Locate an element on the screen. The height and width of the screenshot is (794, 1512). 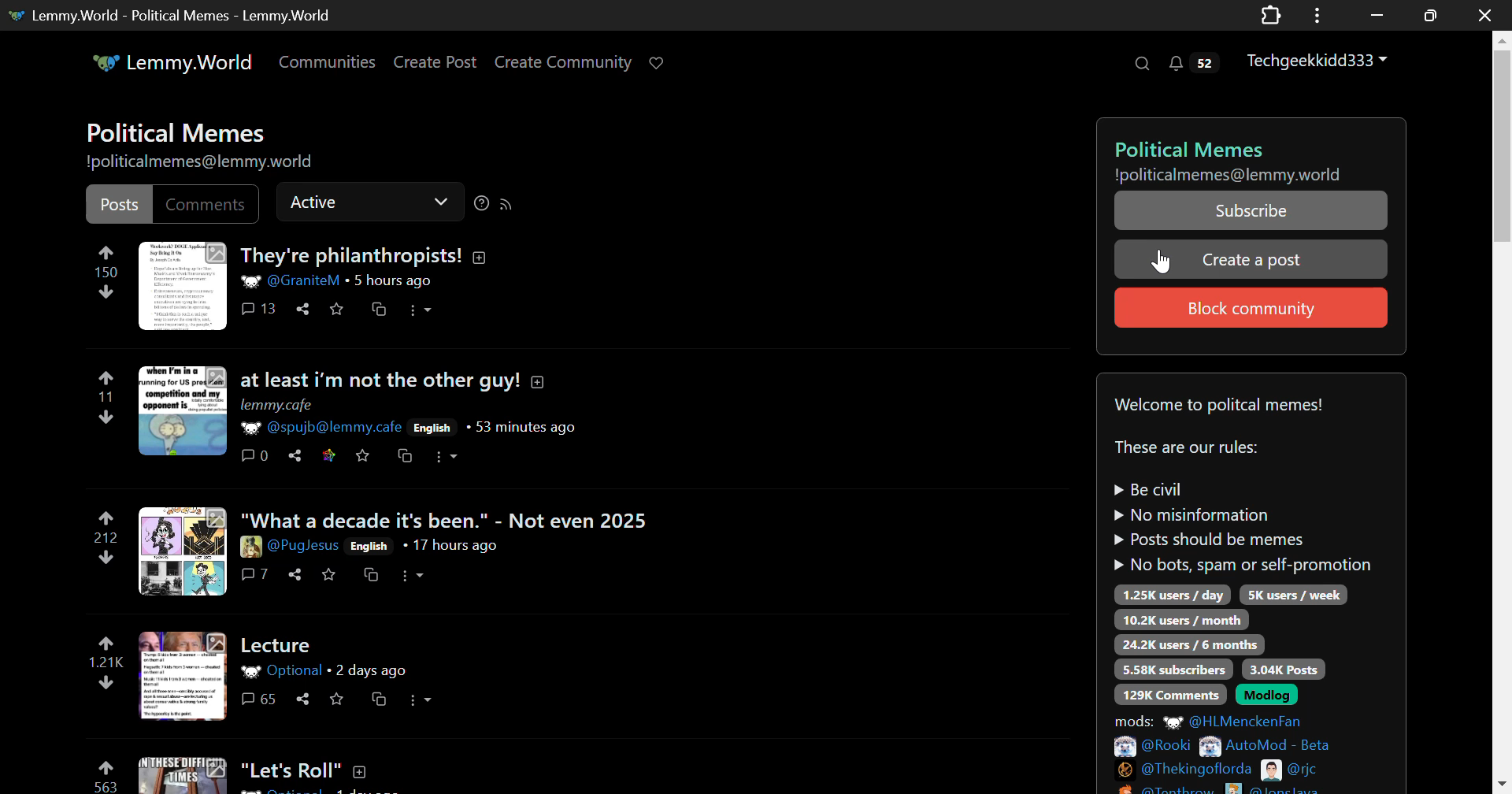
17 hours ago is located at coordinates (450, 546).